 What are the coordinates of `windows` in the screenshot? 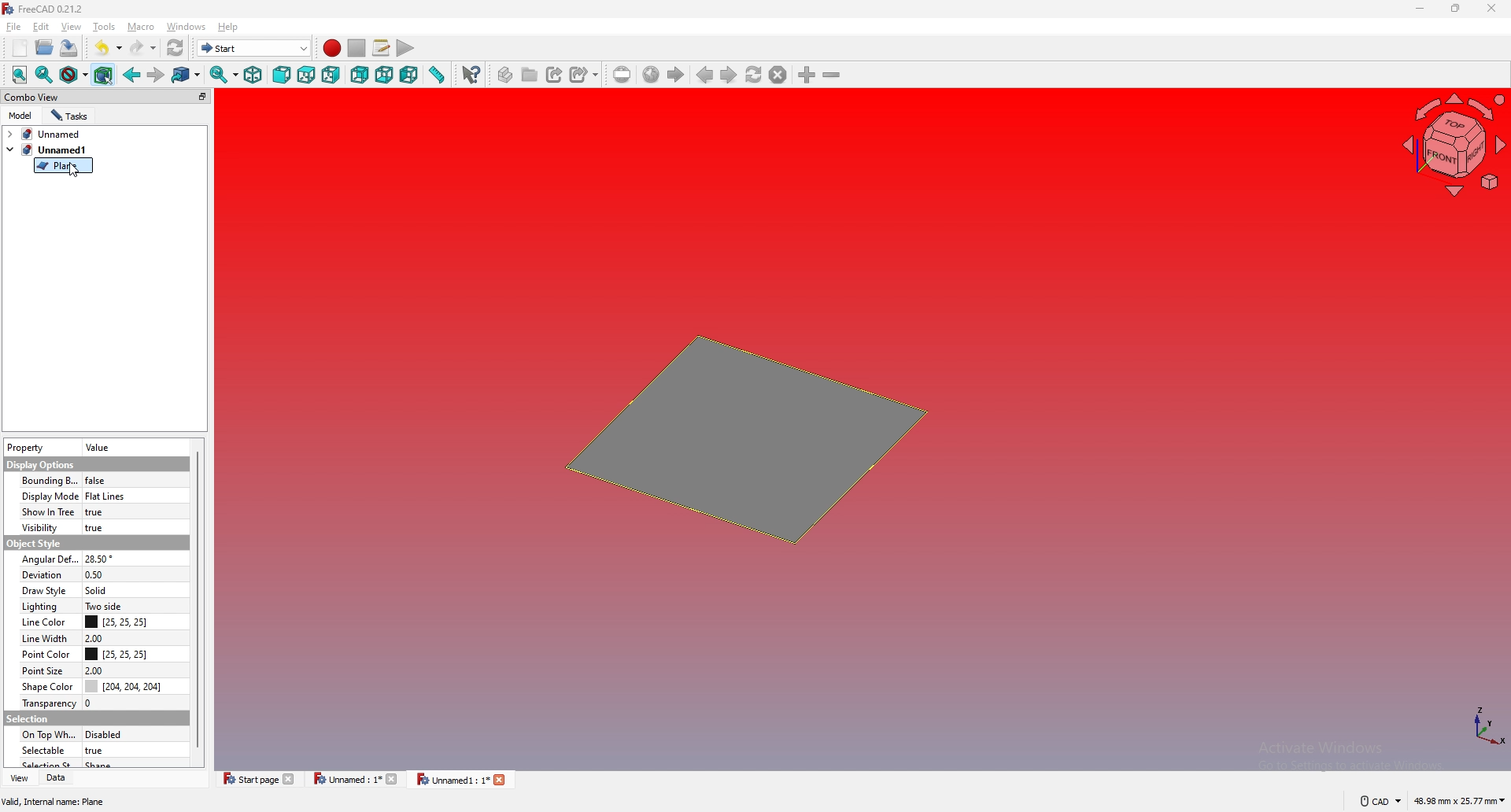 It's located at (187, 26).